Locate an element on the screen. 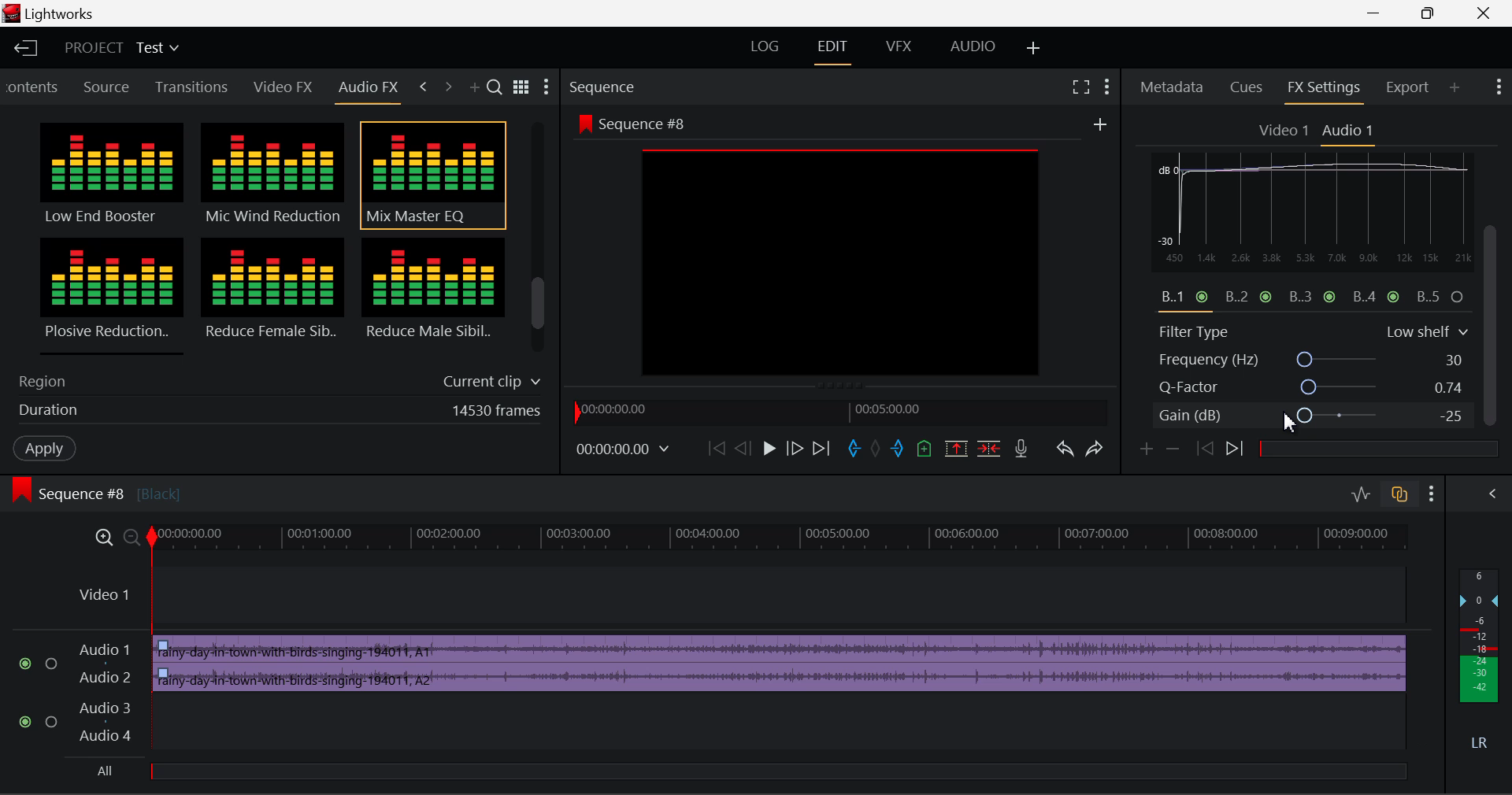 The height and width of the screenshot is (795, 1512). Duration is located at coordinates (275, 413).